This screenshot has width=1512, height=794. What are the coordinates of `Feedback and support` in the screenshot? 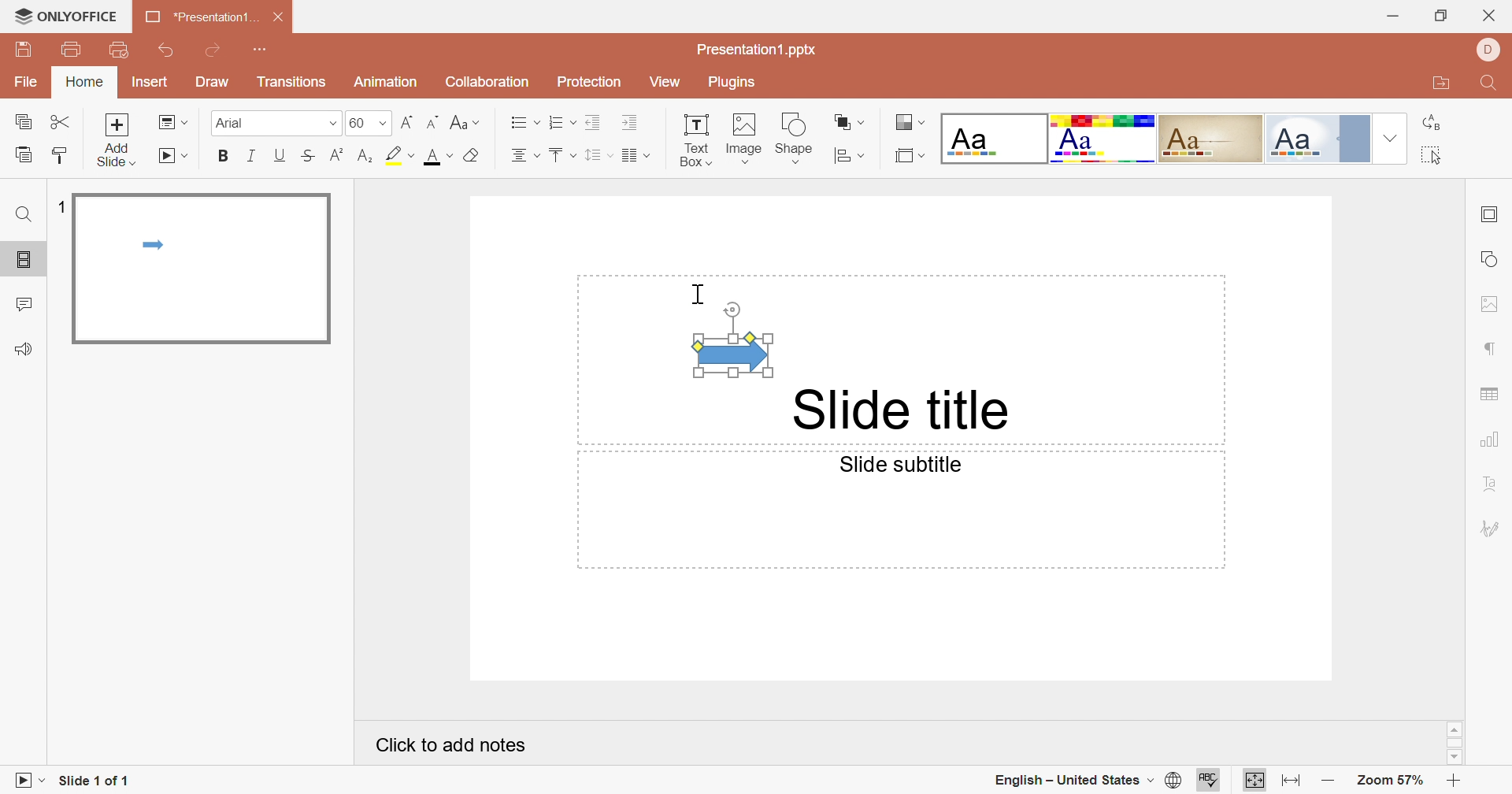 It's located at (23, 349).